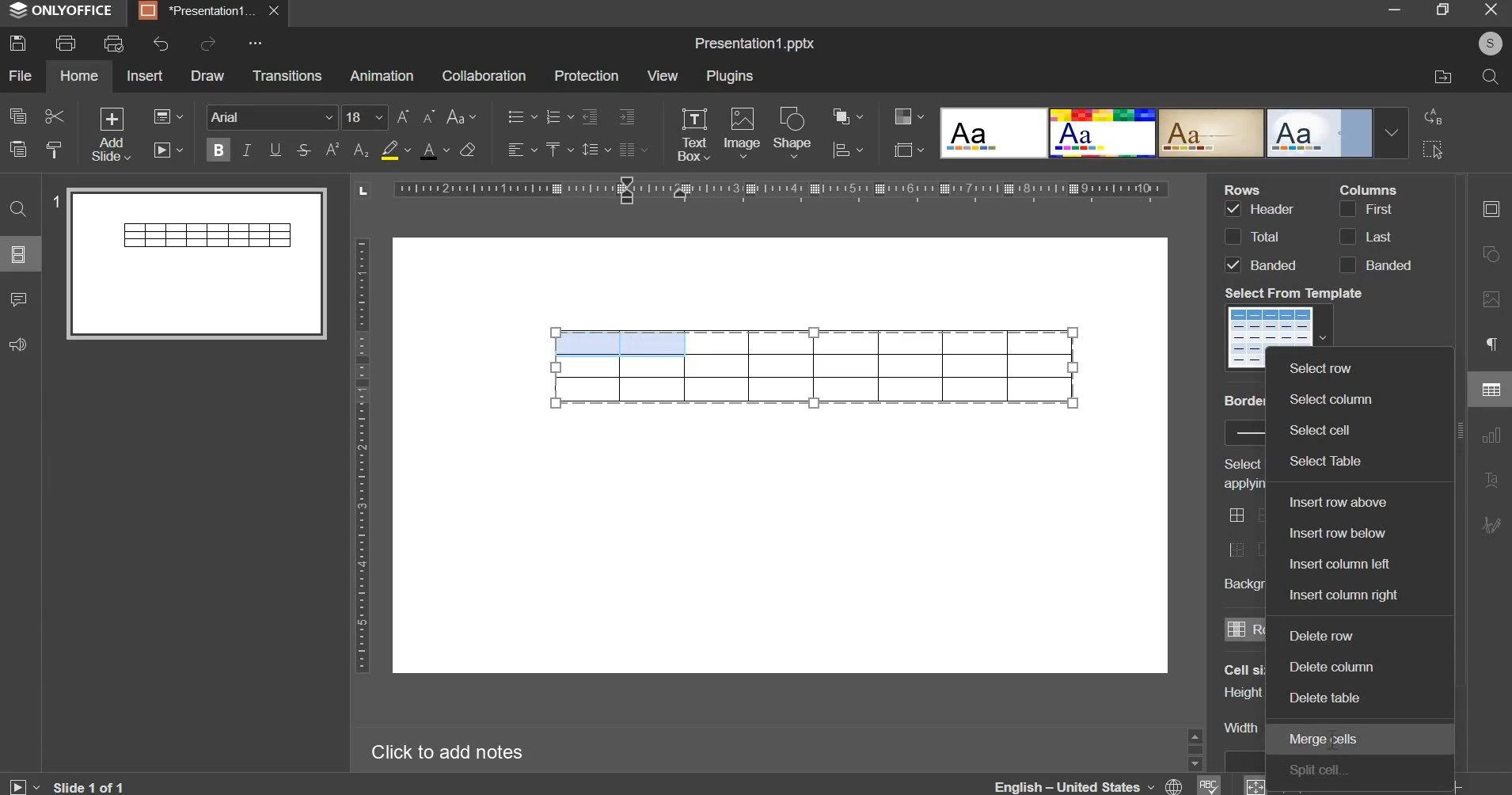 The image size is (1512, 795). I want to click on design, so click(1173, 131).